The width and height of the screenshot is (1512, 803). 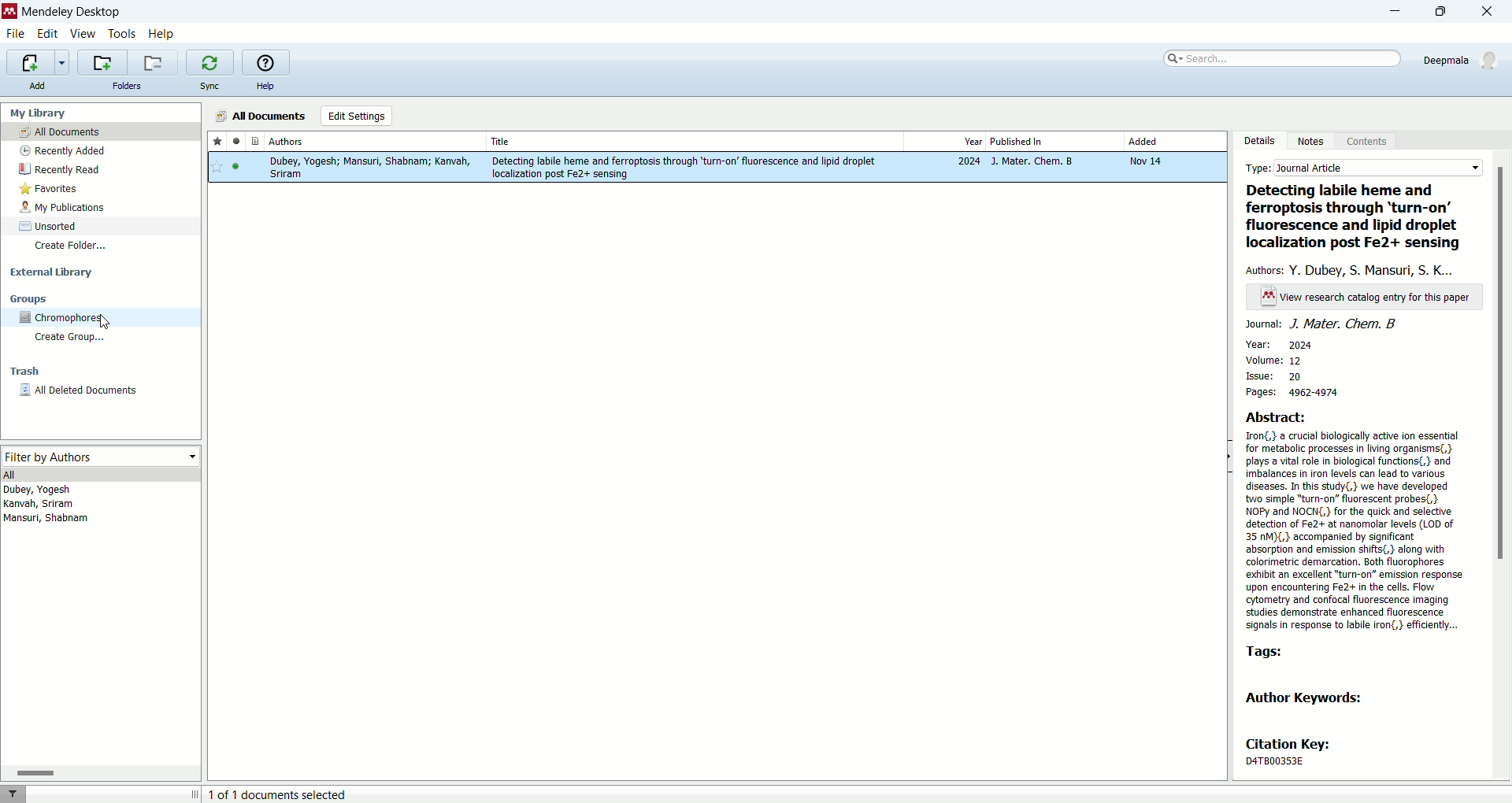 What do you see at coordinates (267, 87) in the screenshot?
I see `help` at bounding box center [267, 87].